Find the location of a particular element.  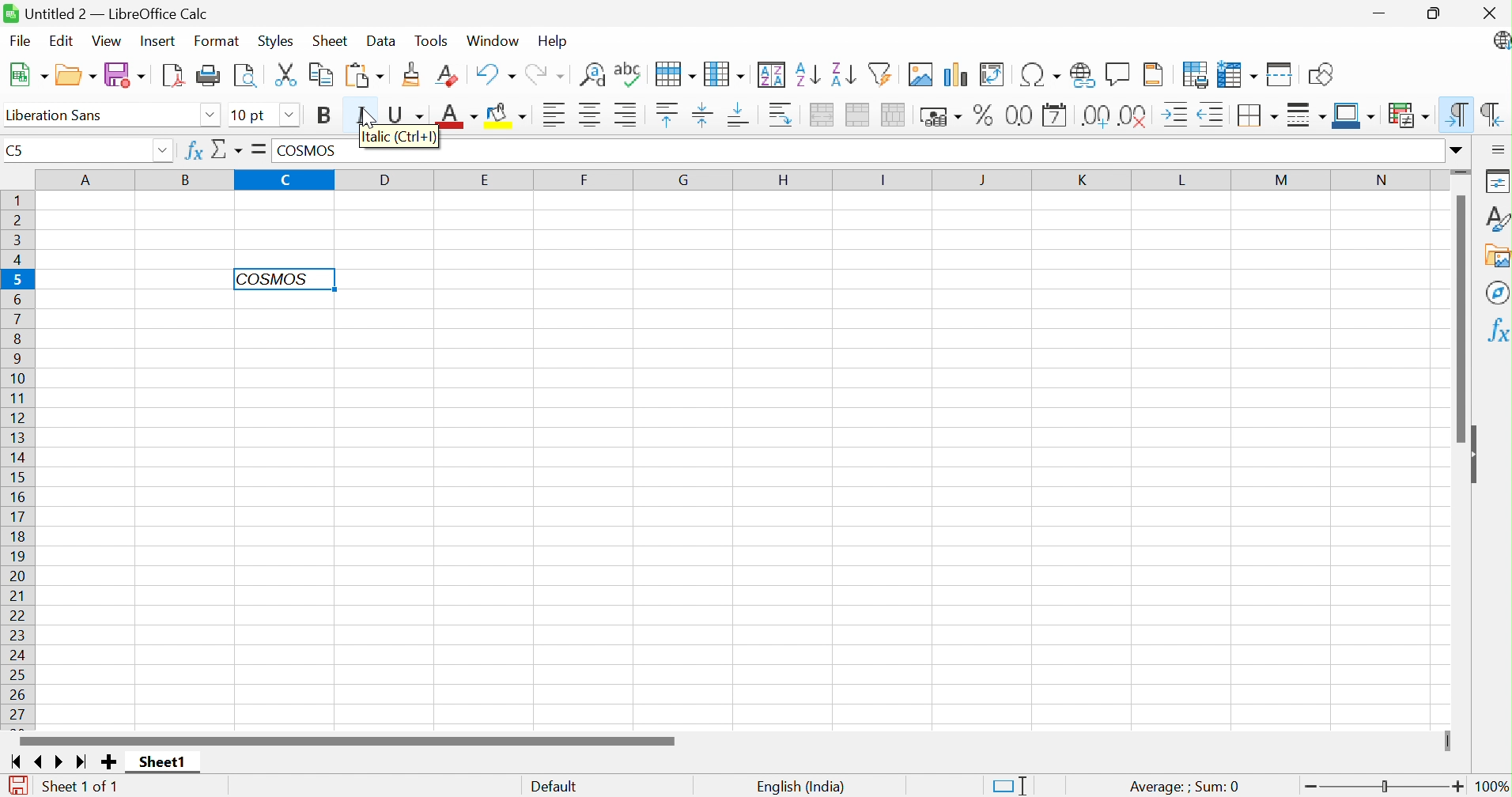

Align bottom is located at coordinates (739, 116).